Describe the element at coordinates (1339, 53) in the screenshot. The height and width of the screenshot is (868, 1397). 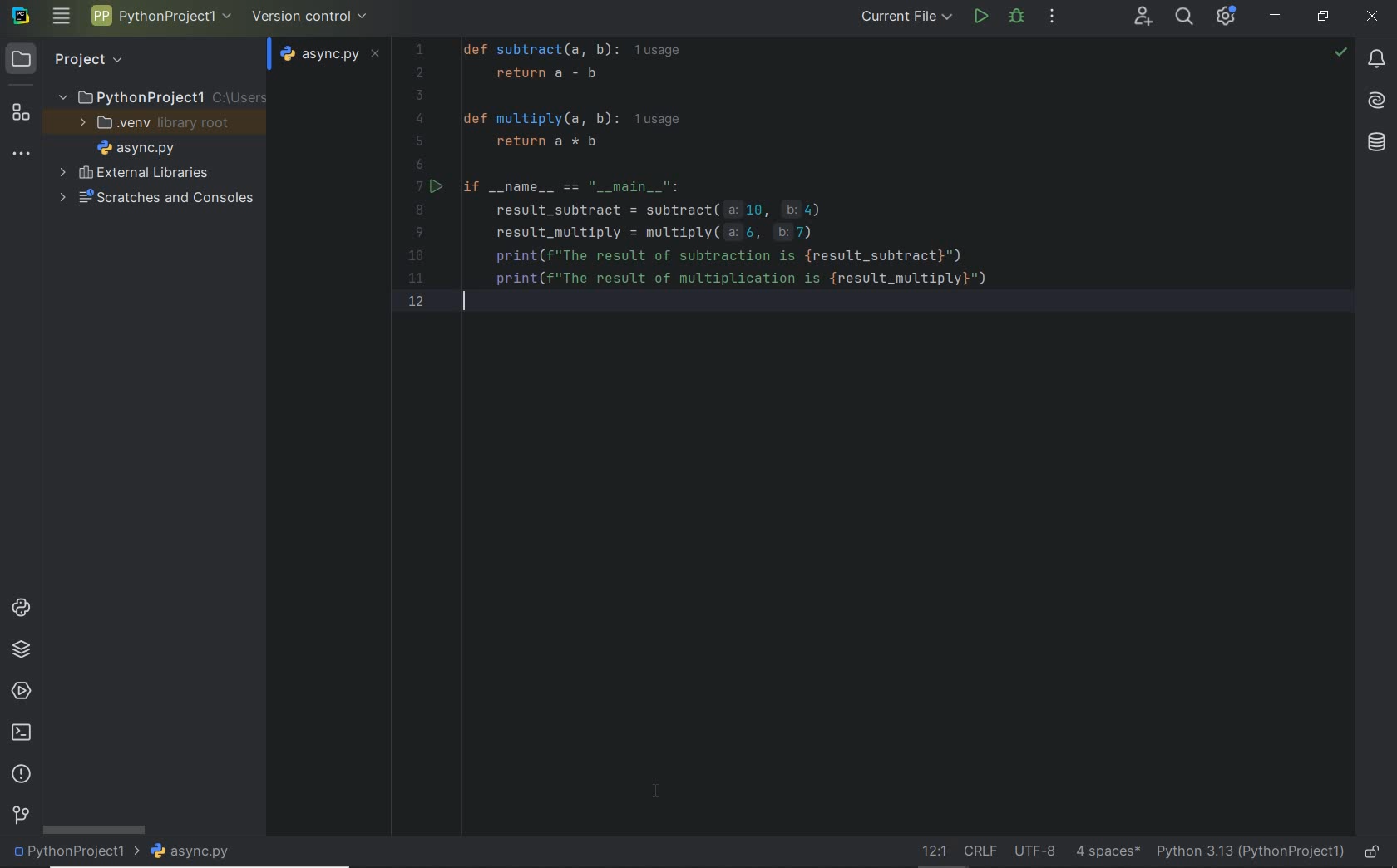
I see `highlight: all problems` at that location.